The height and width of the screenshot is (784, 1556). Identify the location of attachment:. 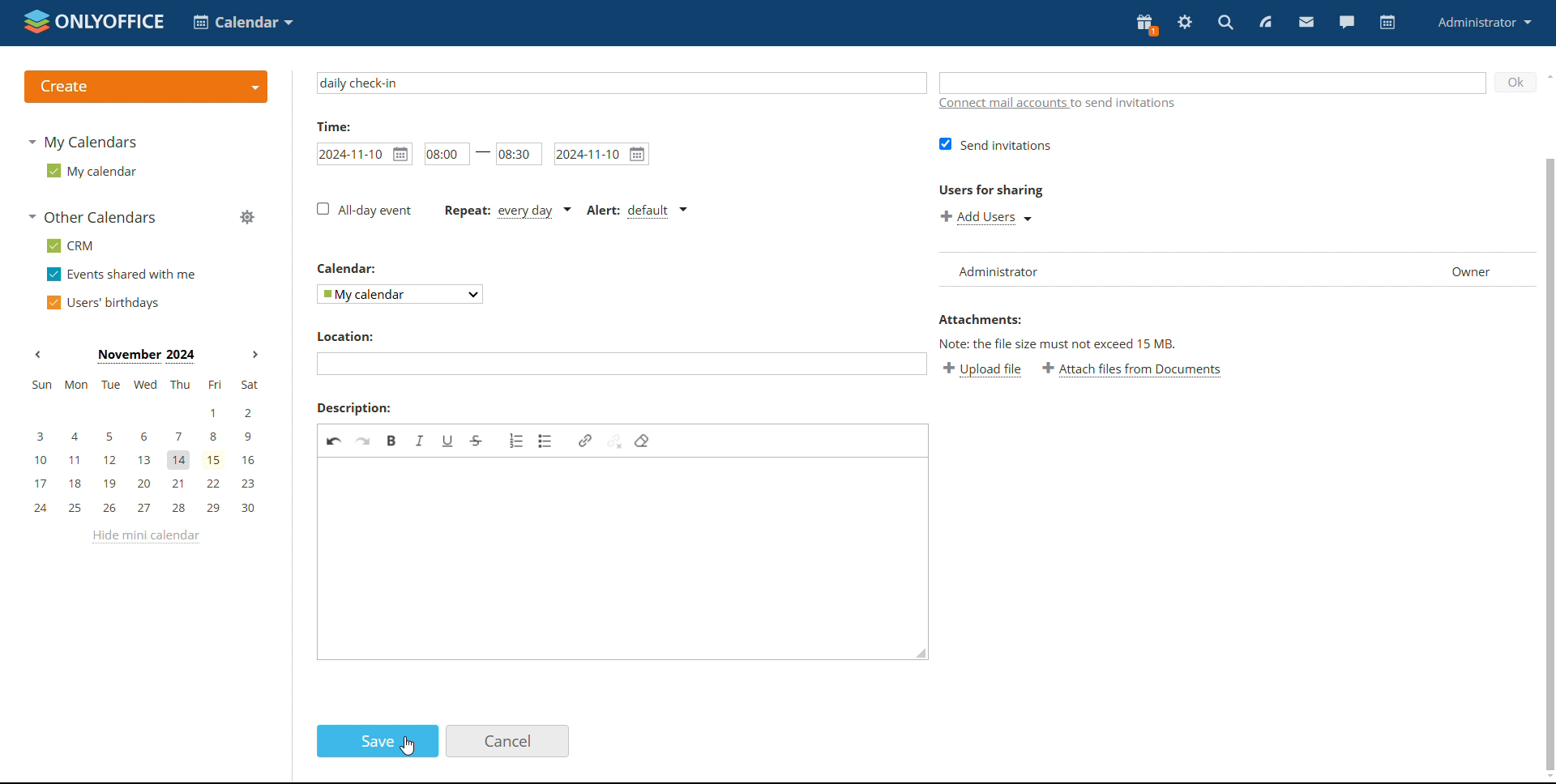
(998, 319).